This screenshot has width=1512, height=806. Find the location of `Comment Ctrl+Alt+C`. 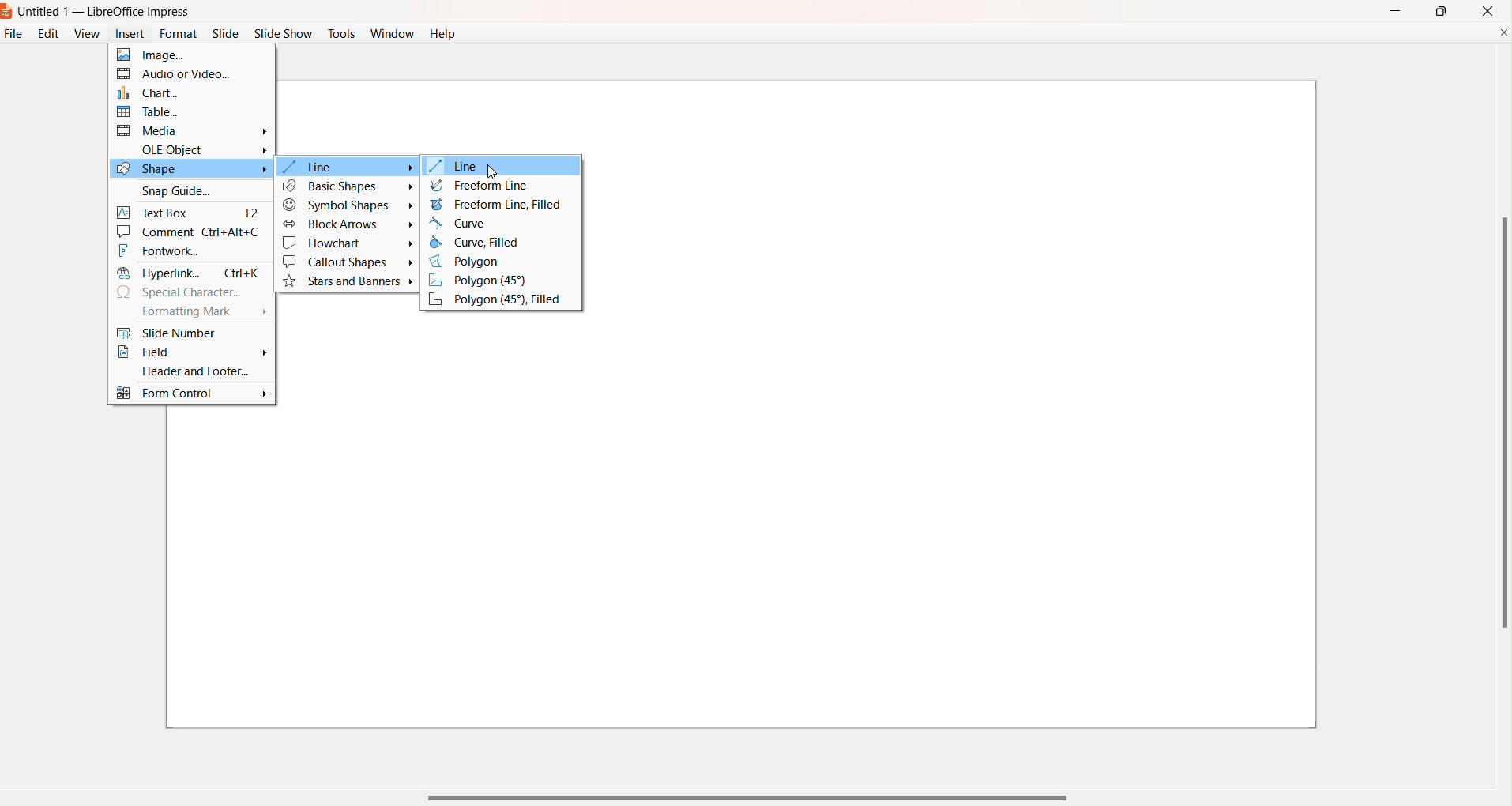

Comment Ctrl+Alt+C is located at coordinates (191, 232).